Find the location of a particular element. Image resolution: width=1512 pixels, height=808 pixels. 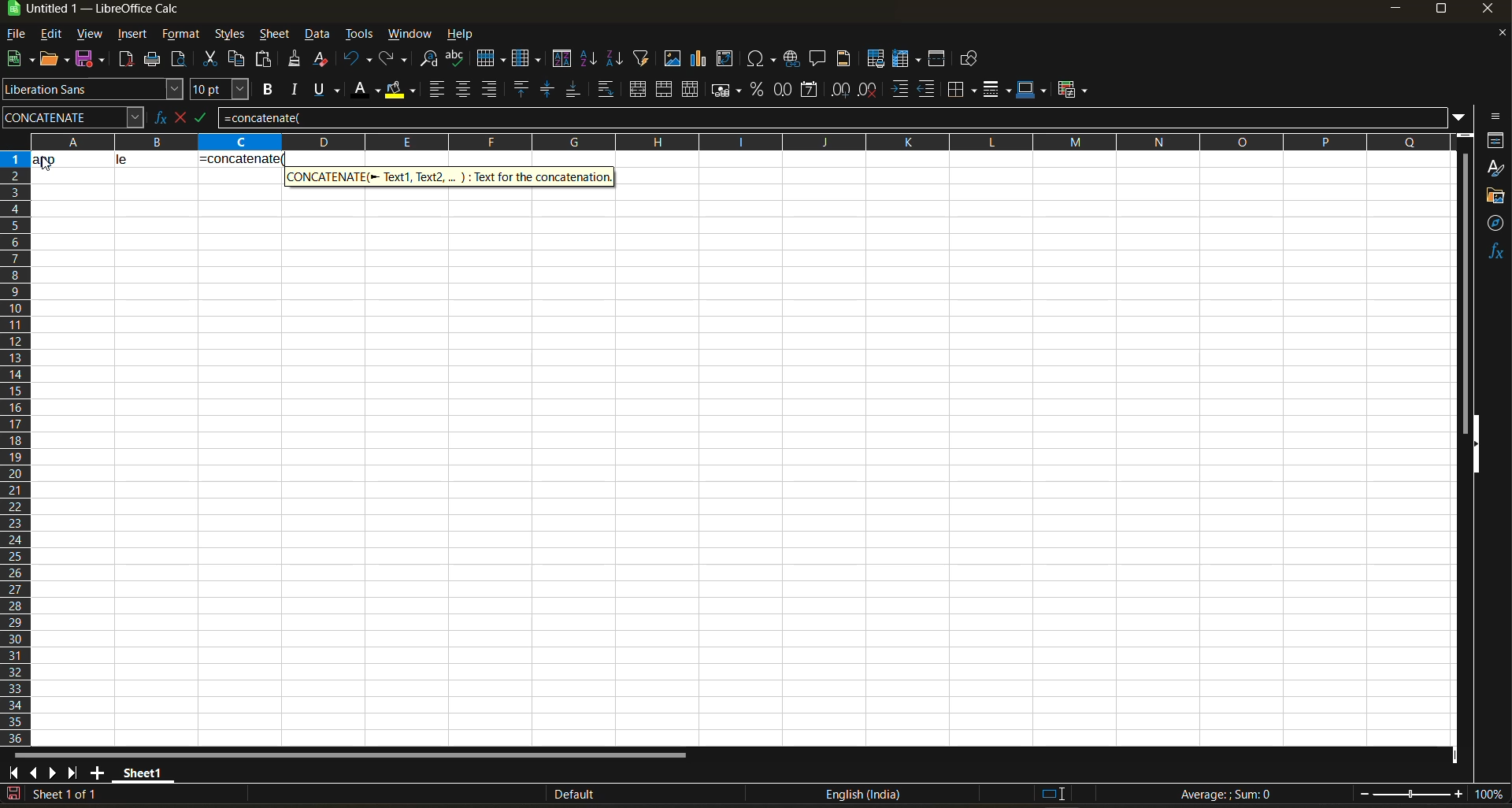

rows is located at coordinates (734, 141).